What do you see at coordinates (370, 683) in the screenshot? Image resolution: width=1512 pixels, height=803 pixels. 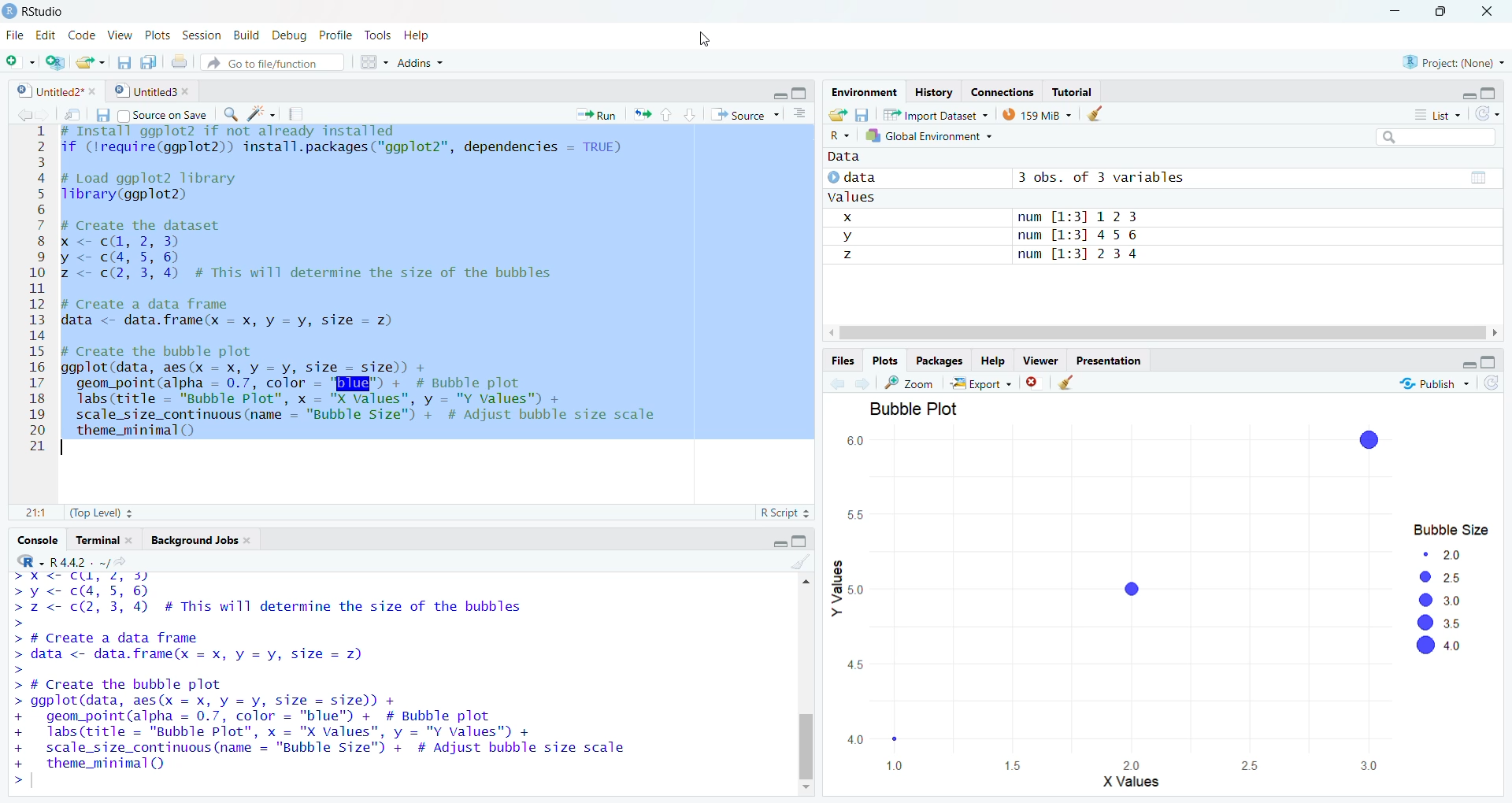 I see `YOU dre Welcome LO reuisirioute IL under Certdin conaiLions.

Type 'license()' or 'licence()' for distribution details.
Natural language support but running in an English locale

R is a collaborative project with many contributors.

Type 'contributors()' for more information and

"citation()' on how to cite R or R packages in publications.

Type 'demo()' for some demos, 'help()' for on-line help, or

'help.start()’ for an HTML browser interface to help.

Type 'qQ)' to quit R.

>` at bounding box center [370, 683].